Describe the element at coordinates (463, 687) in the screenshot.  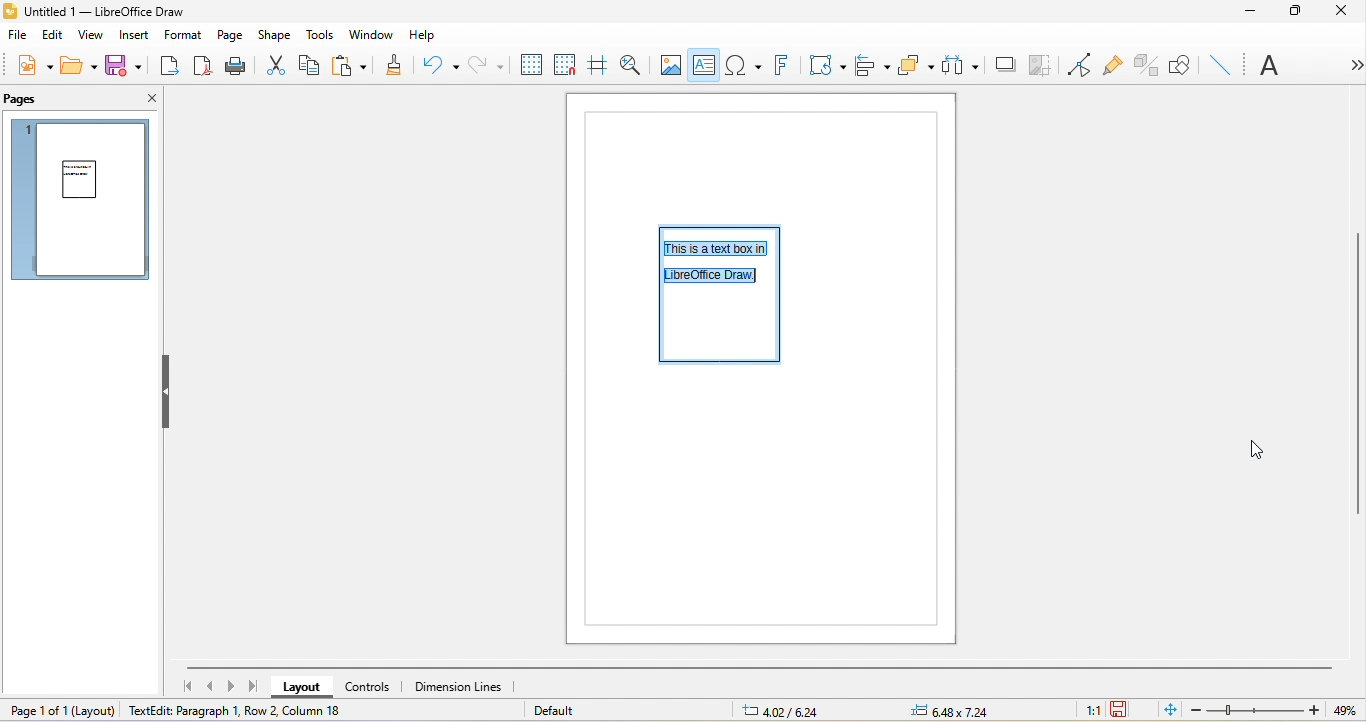
I see `dimension lines` at that location.